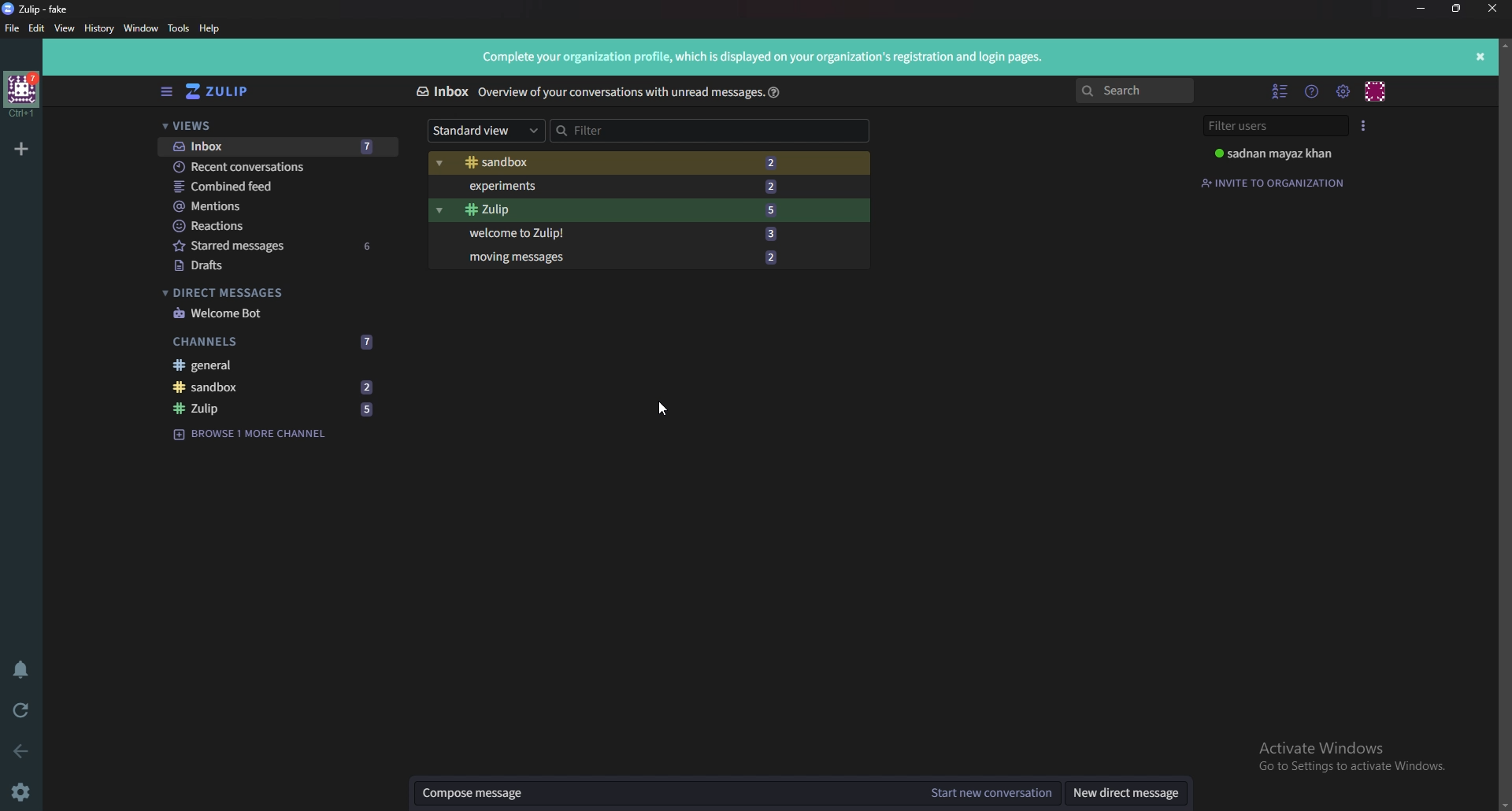 The height and width of the screenshot is (811, 1512). What do you see at coordinates (20, 711) in the screenshot?
I see `Reload` at bounding box center [20, 711].